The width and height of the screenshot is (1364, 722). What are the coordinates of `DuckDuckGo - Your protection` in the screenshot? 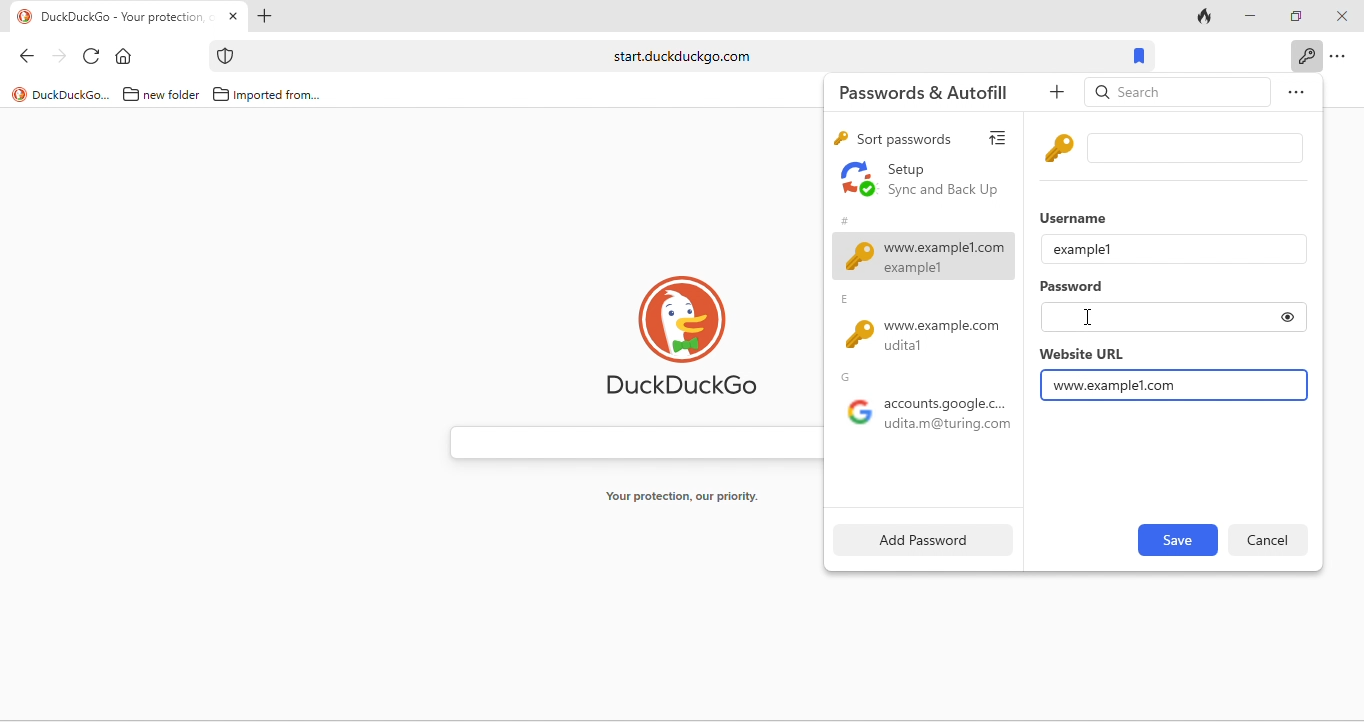 It's located at (129, 17).